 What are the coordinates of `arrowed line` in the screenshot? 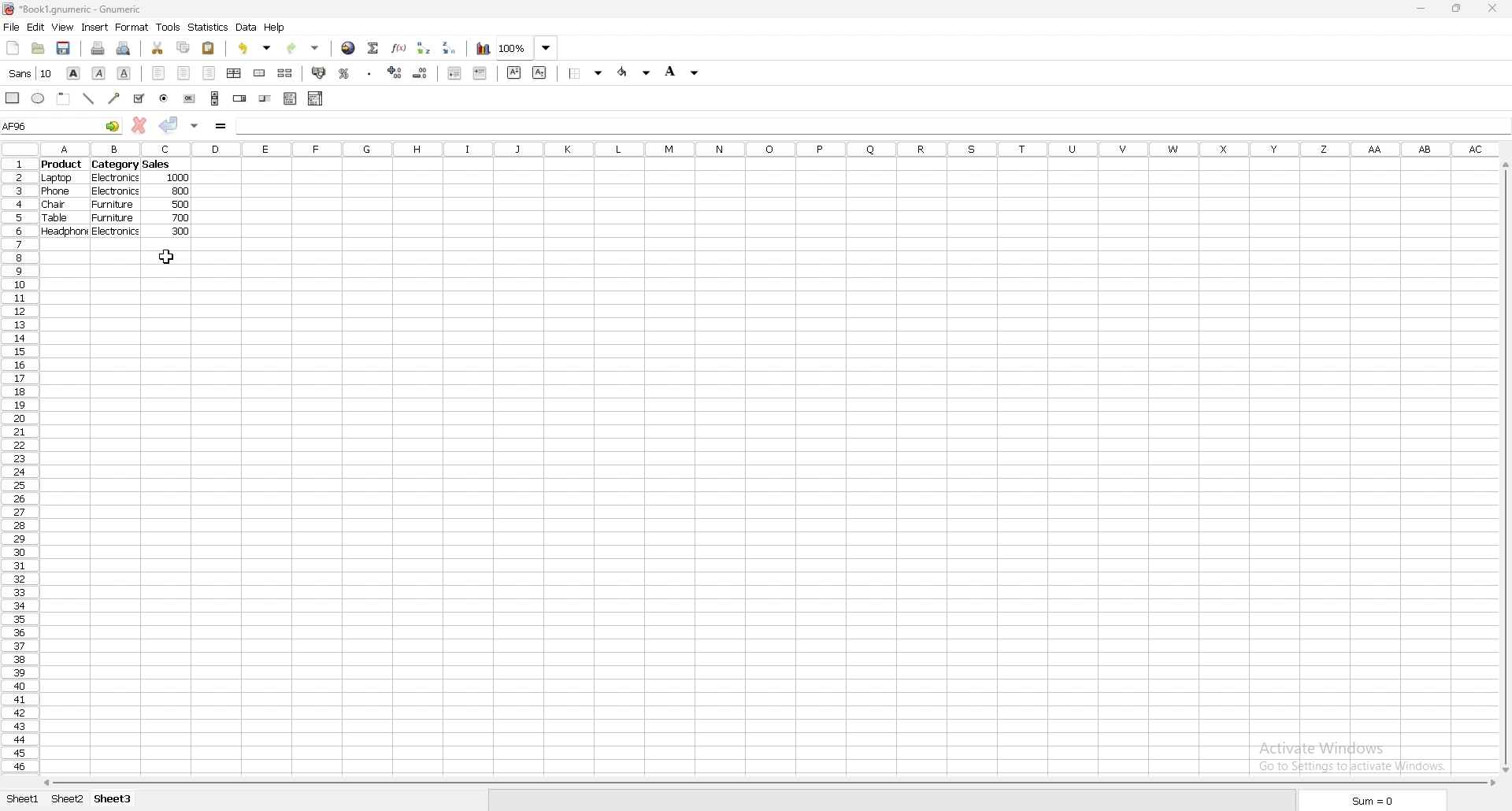 It's located at (114, 99).